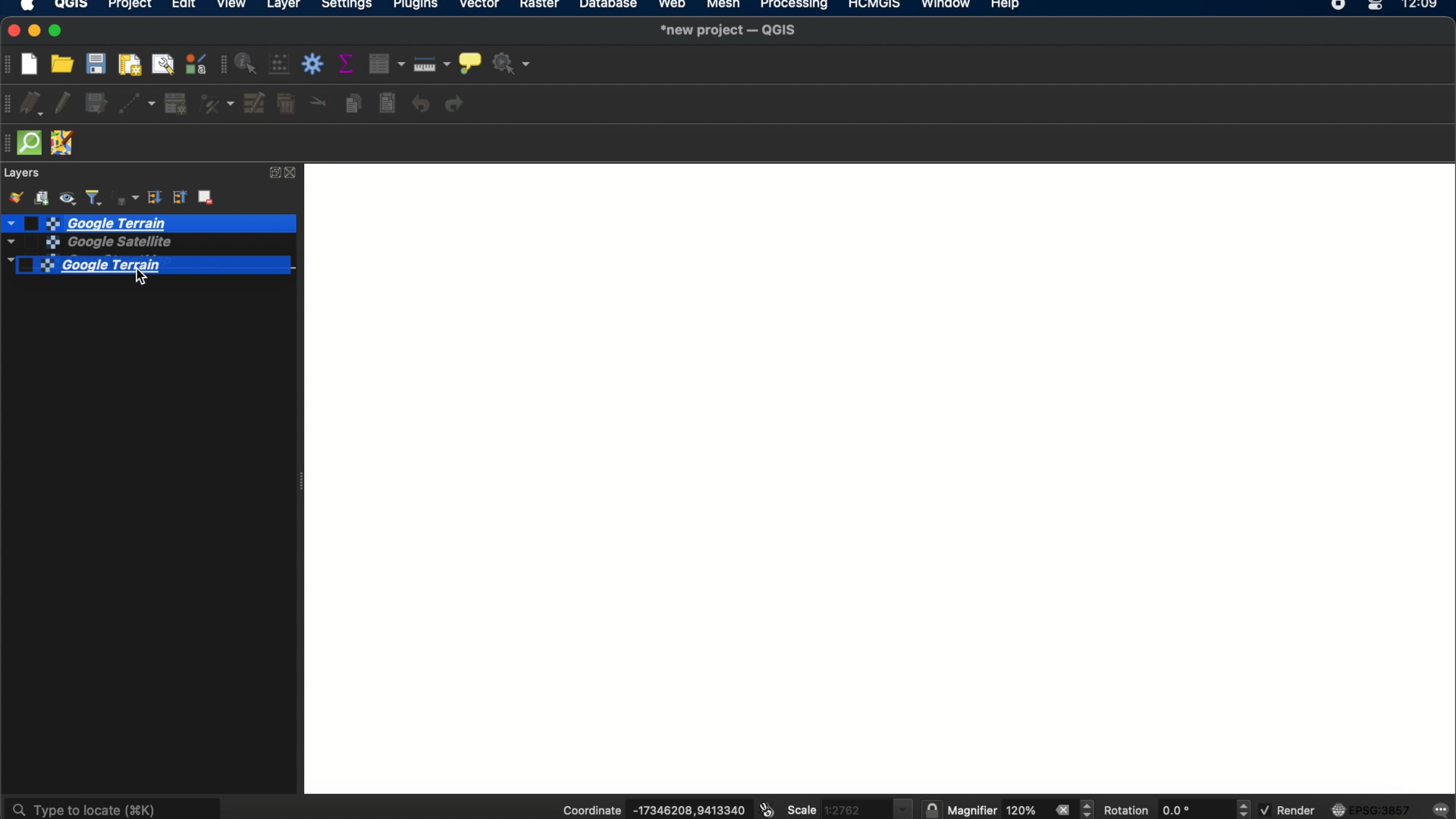  Describe the element at coordinates (70, 196) in the screenshot. I see `manage map themes` at that location.